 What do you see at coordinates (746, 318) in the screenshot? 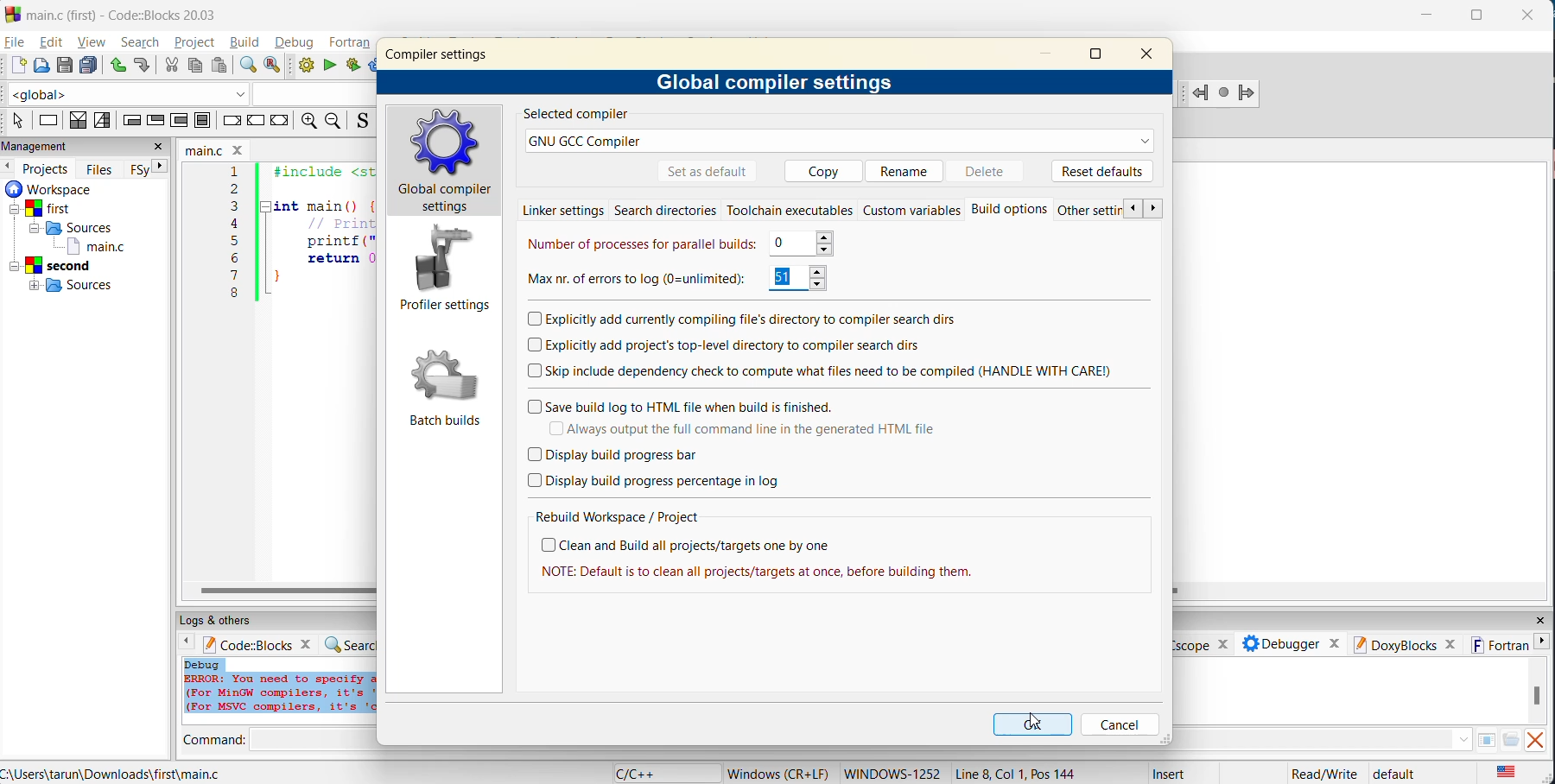
I see `explicitly add currently compiling files directory to compiler search dis` at bounding box center [746, 318].